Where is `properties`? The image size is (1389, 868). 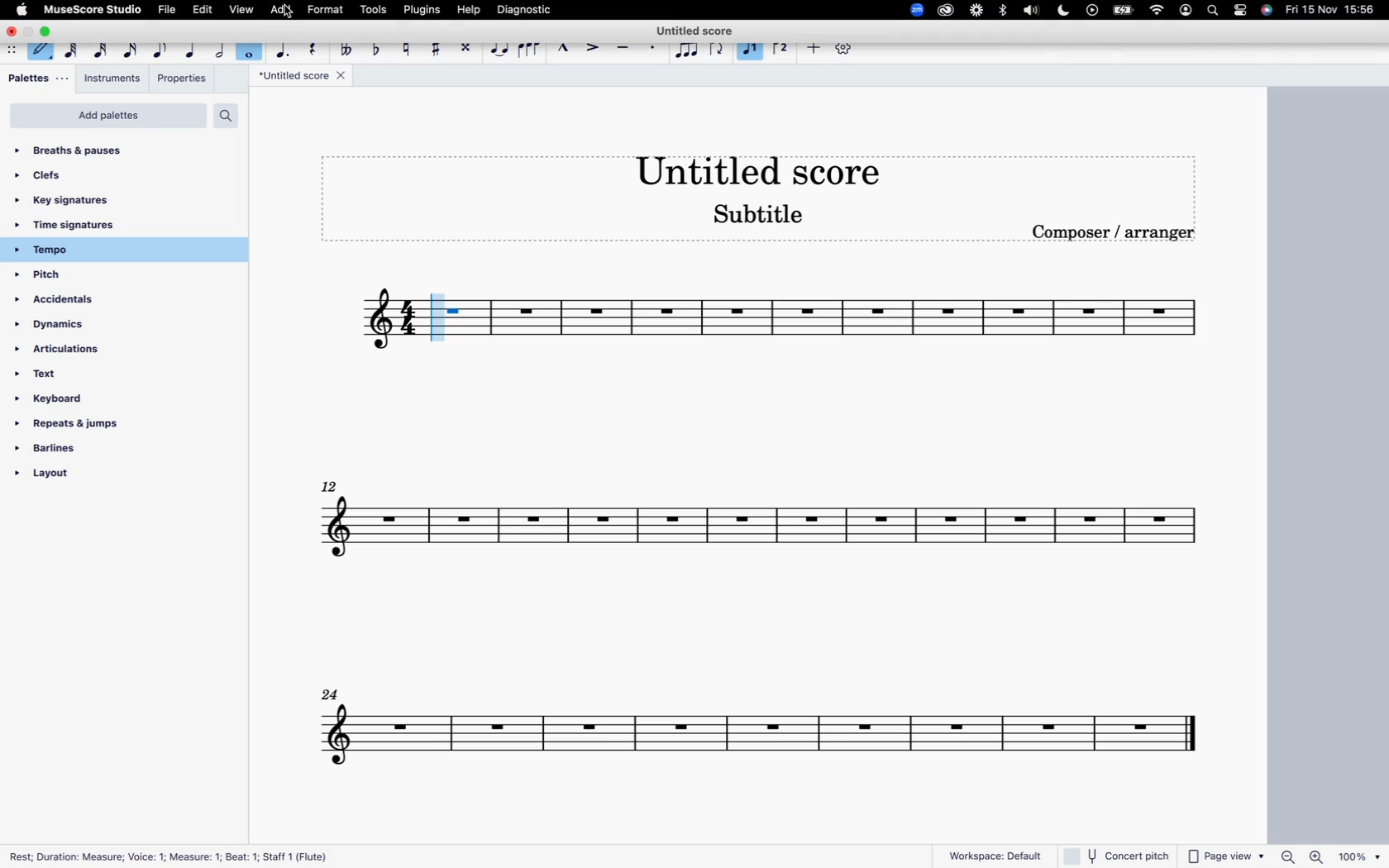 properties is located at coordinates (181, 79).